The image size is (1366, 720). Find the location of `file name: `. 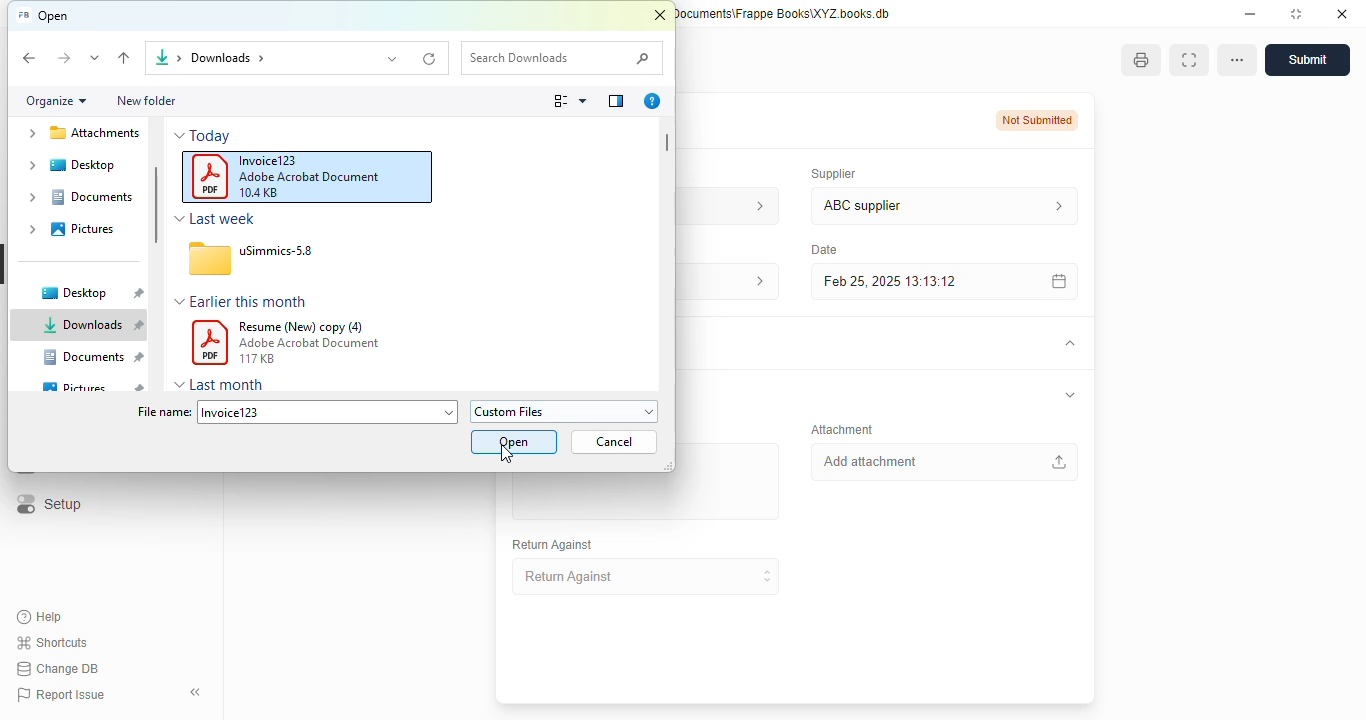

file name:  is located at coordinates (163, 412).